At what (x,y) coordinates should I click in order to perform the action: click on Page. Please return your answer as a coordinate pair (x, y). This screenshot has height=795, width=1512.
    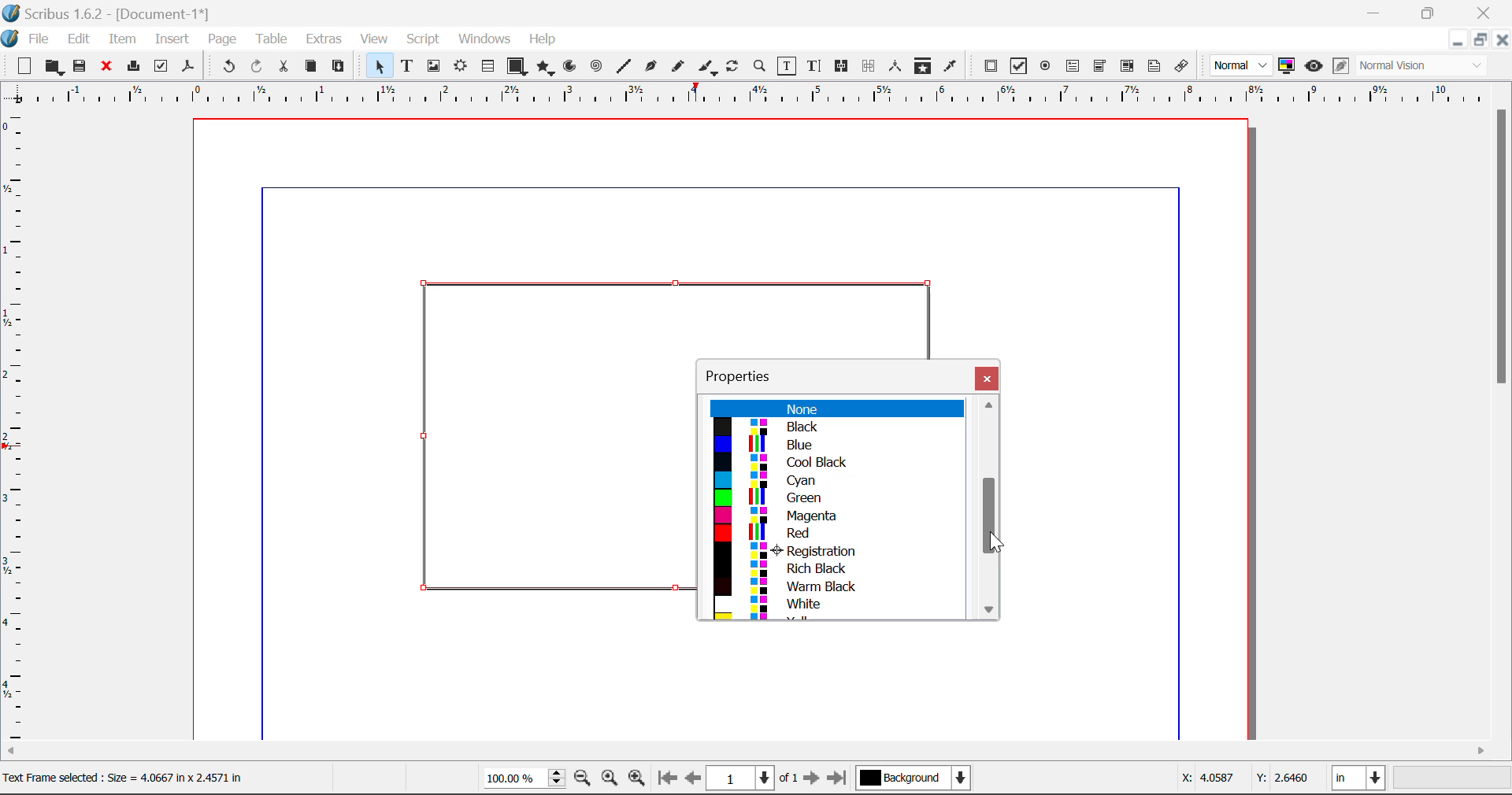
    Looking at the image, I should click on (221, 39).